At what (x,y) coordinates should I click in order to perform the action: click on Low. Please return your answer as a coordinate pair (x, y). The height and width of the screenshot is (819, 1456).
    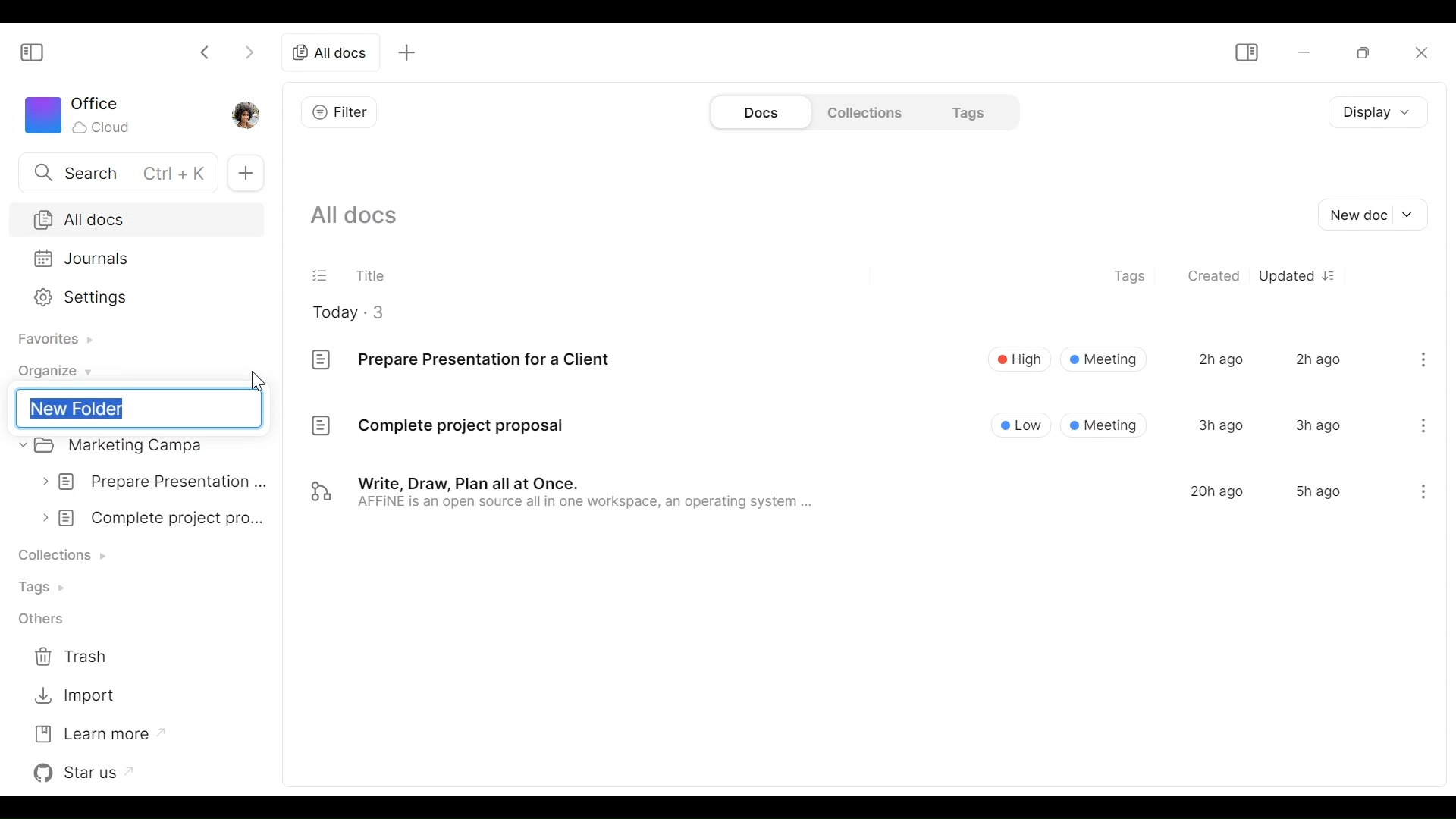
    Looking at the image, I should click on (1022, 424).